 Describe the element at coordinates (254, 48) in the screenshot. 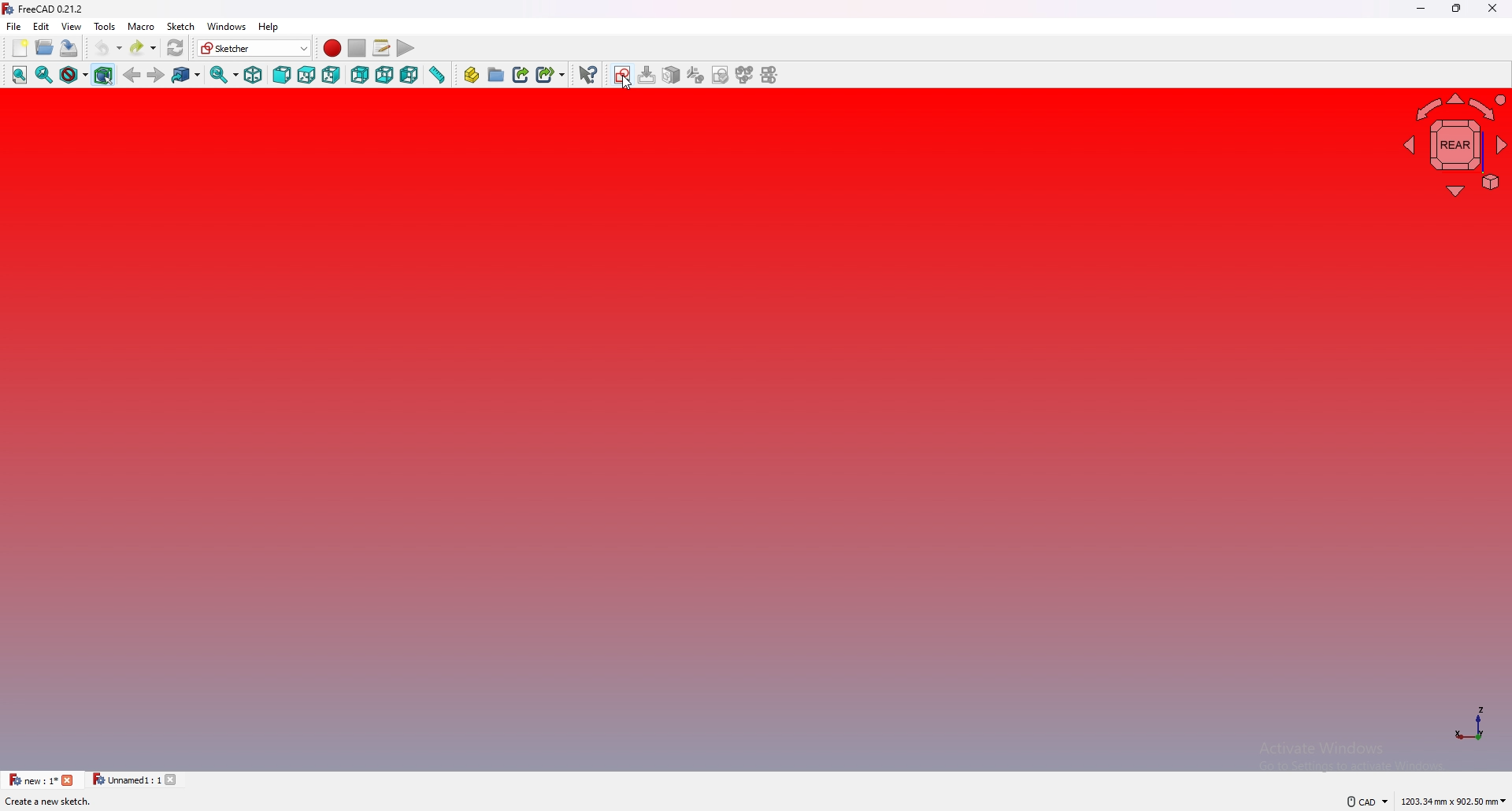

I see `Sketcher` at that location.